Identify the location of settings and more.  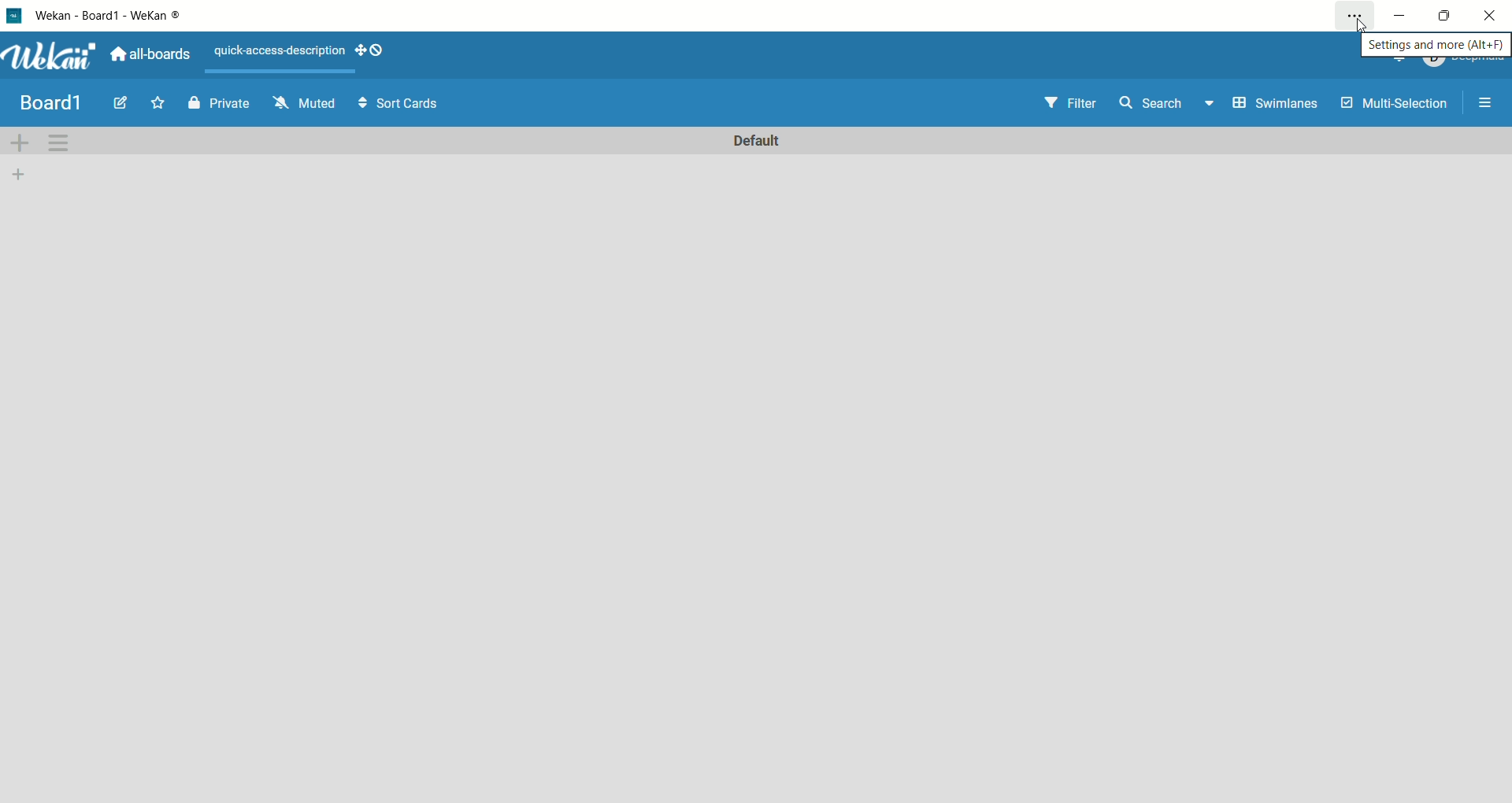
(1355, 14).